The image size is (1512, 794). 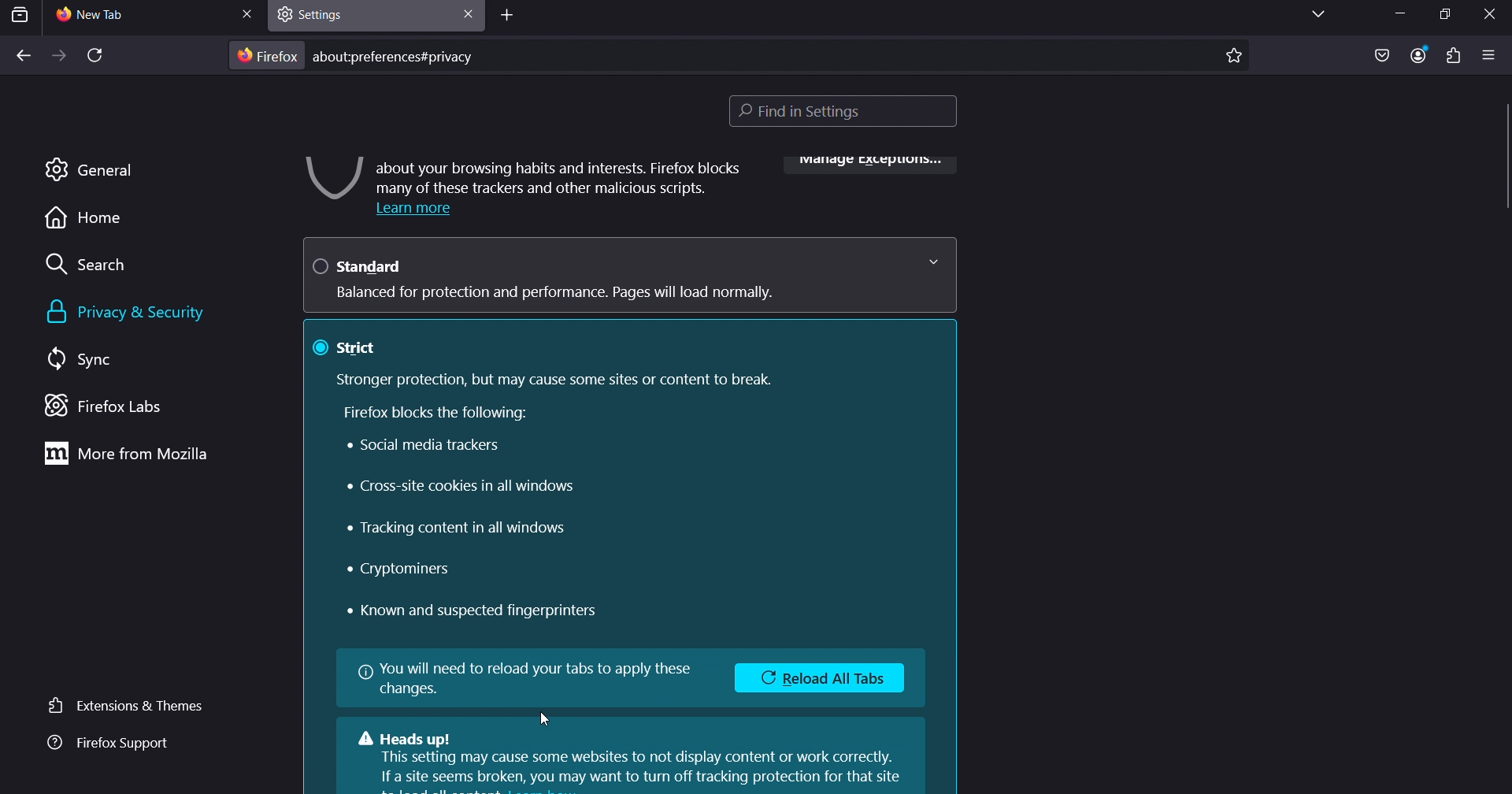 I want to click on about:preferences#privacy, so click(x=402, y=55).